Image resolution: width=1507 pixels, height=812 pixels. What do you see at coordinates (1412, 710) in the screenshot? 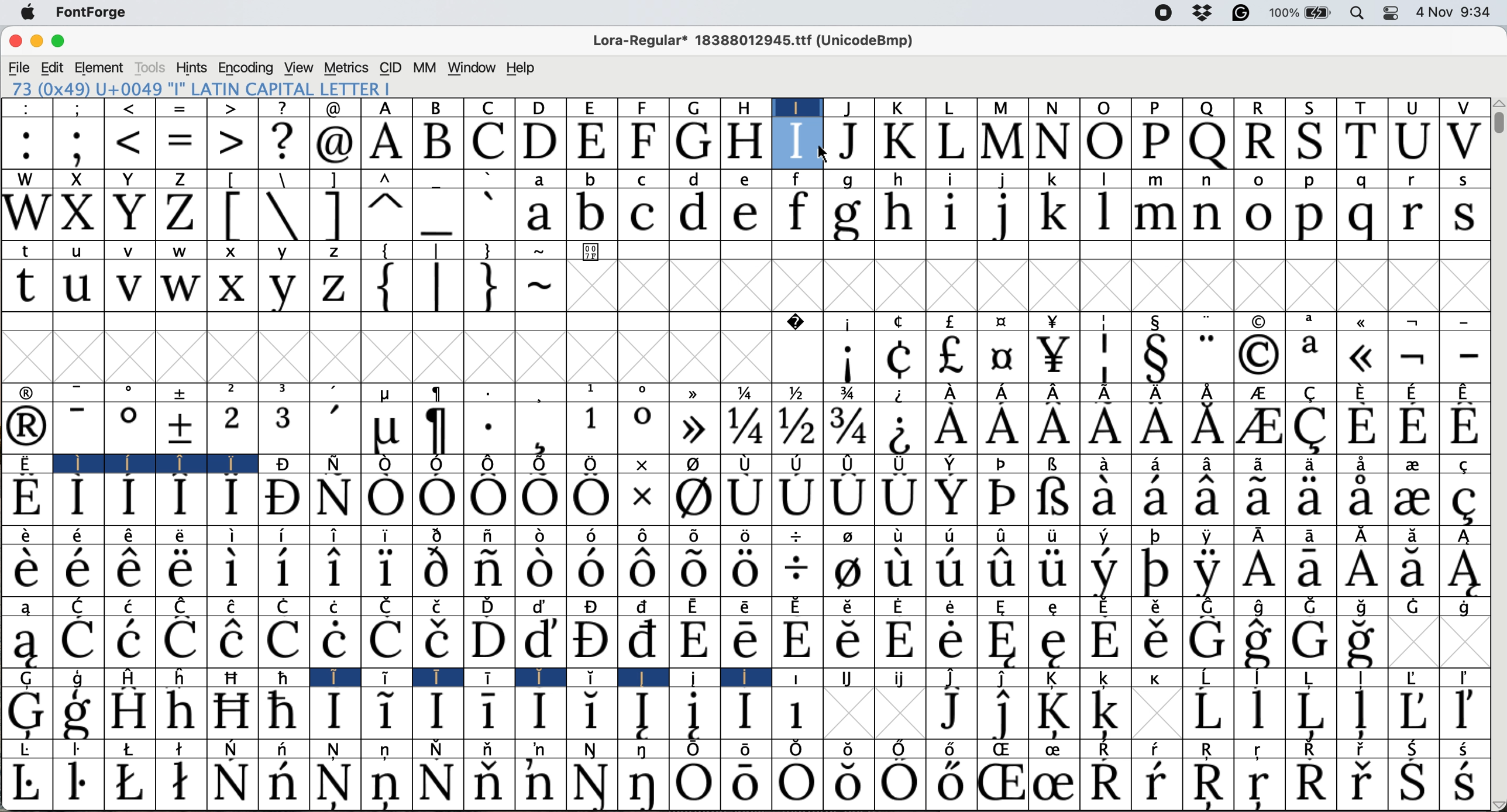
I see `Symbol` at bounding box center [1412, 710].